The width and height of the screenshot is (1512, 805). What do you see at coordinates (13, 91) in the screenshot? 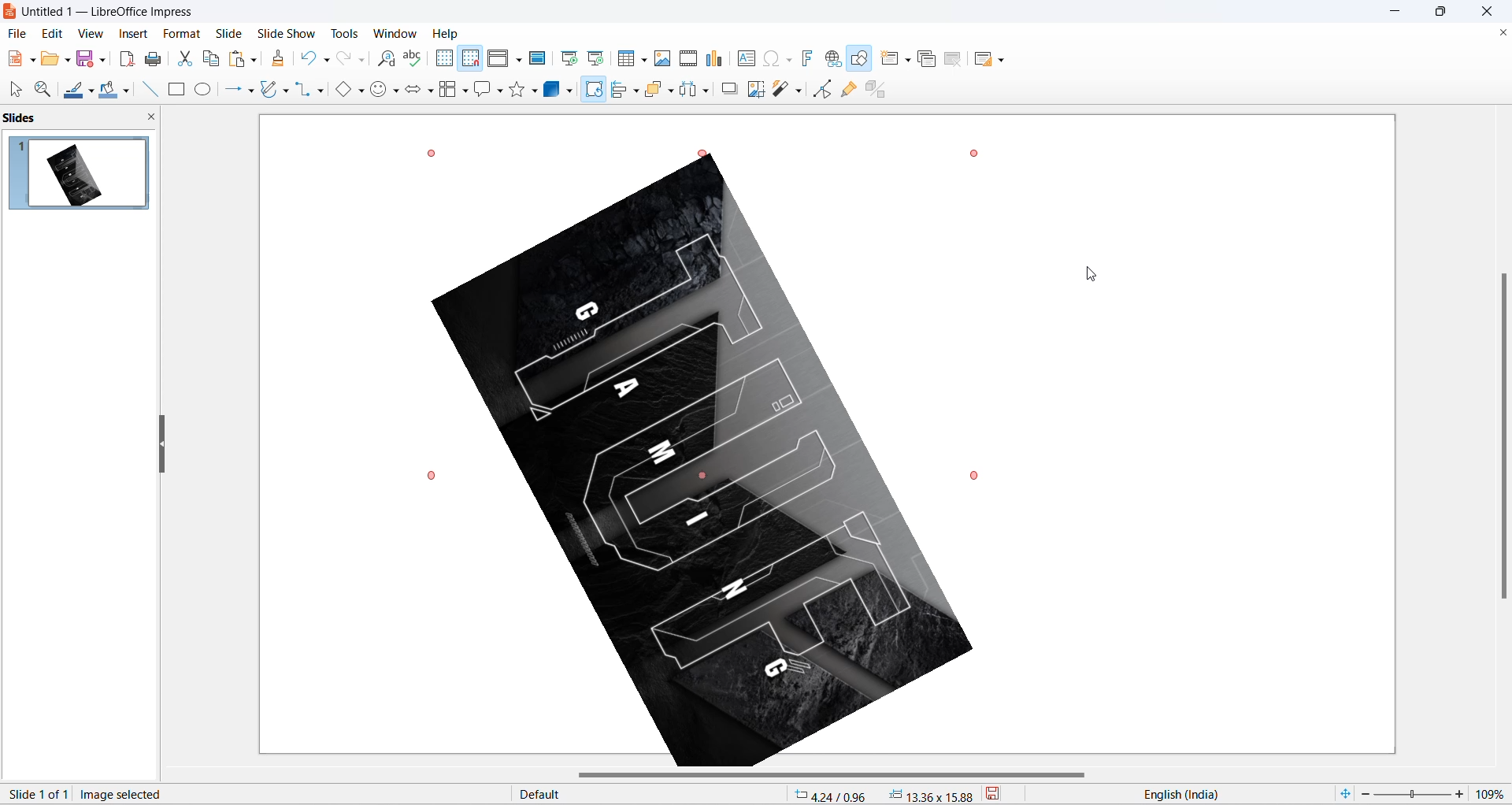
I see `select` at bounding box center [13, 91].